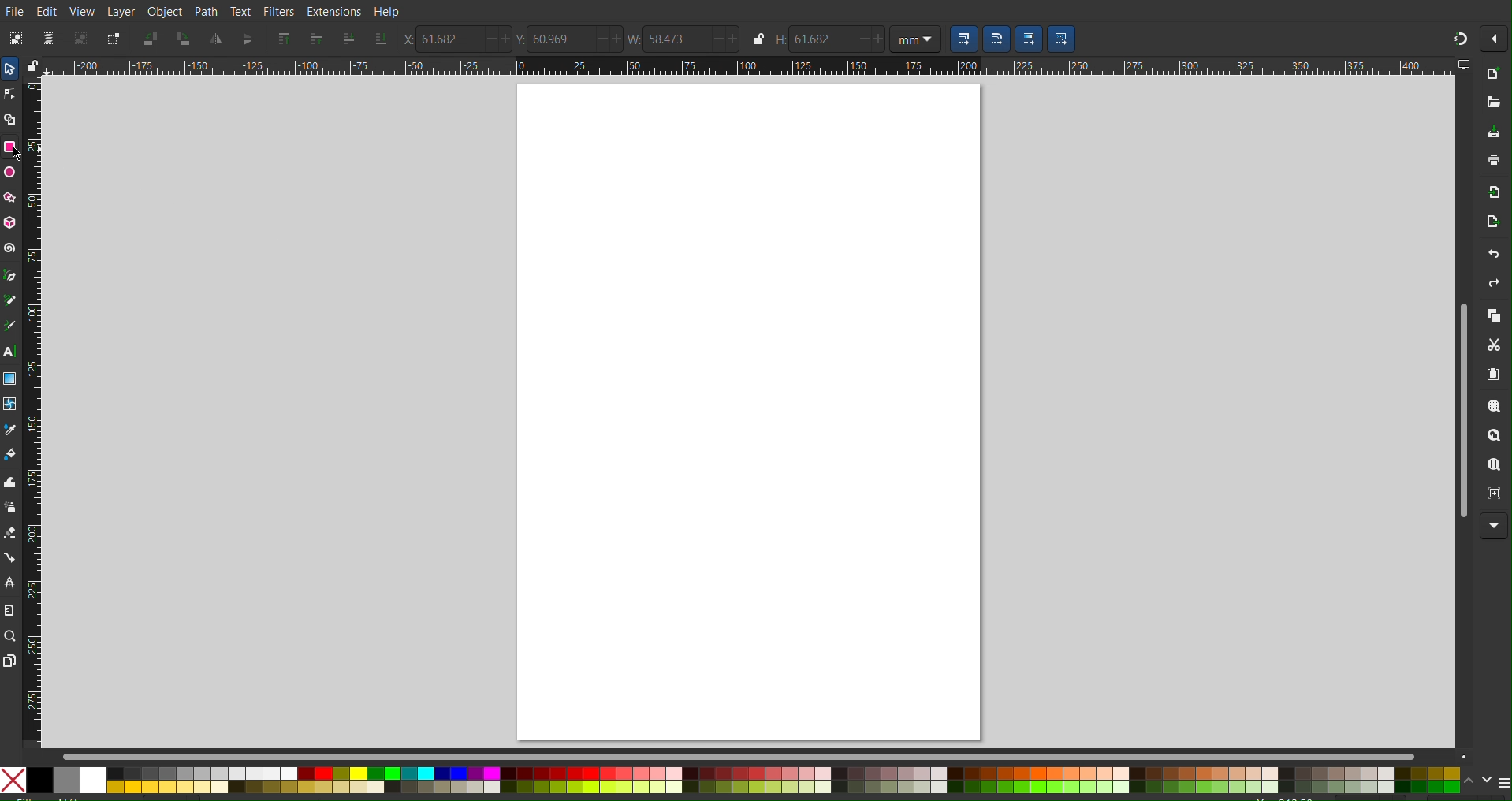 The image size is (1512, 801). Describe the element at coordinates (9, 147) in the screenshot. I see `Rectangle` at that location.